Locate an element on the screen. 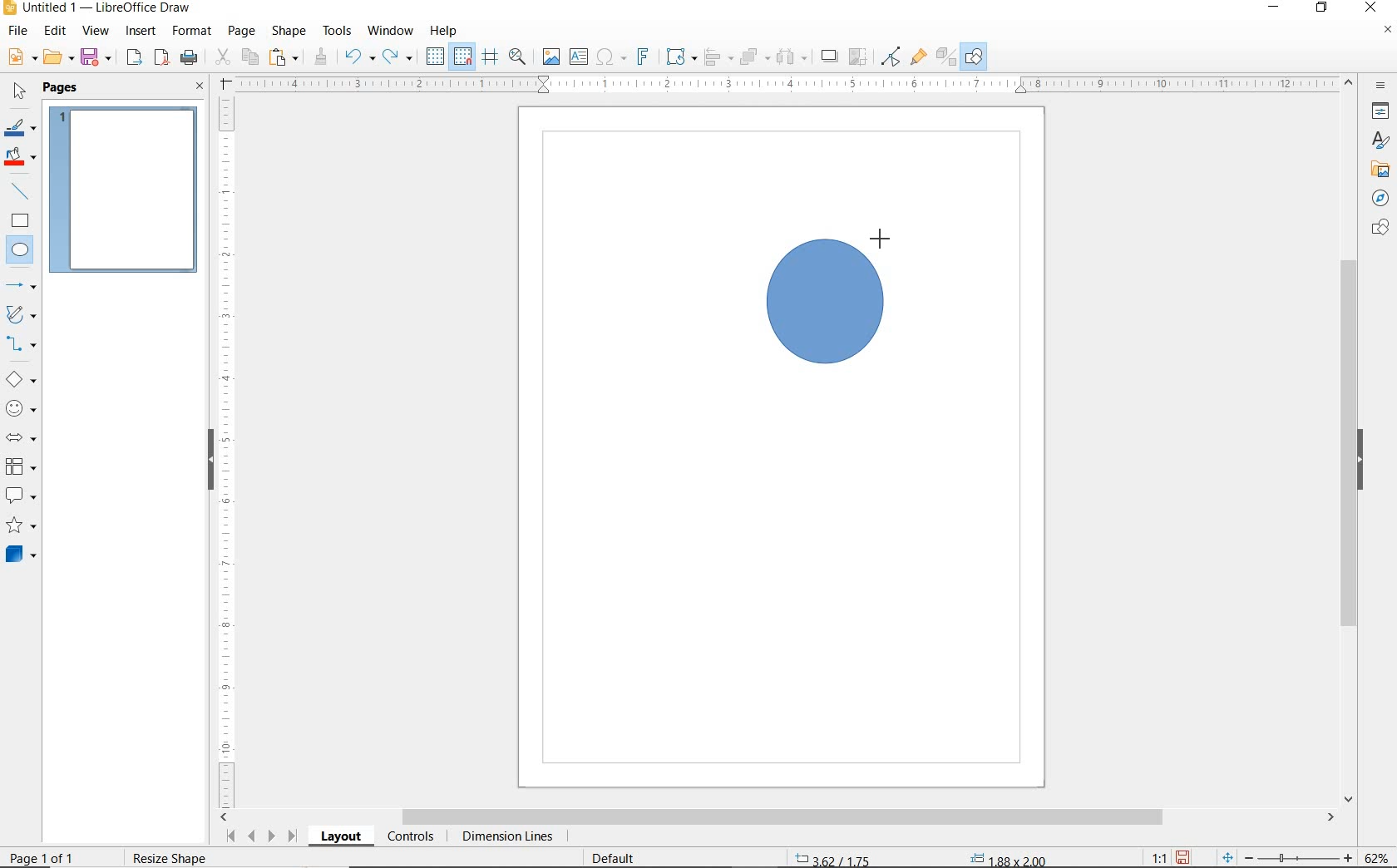 This screenshot has height=868, width=1397. INSERT TEXT BOX is located at coordinates (580, 57).